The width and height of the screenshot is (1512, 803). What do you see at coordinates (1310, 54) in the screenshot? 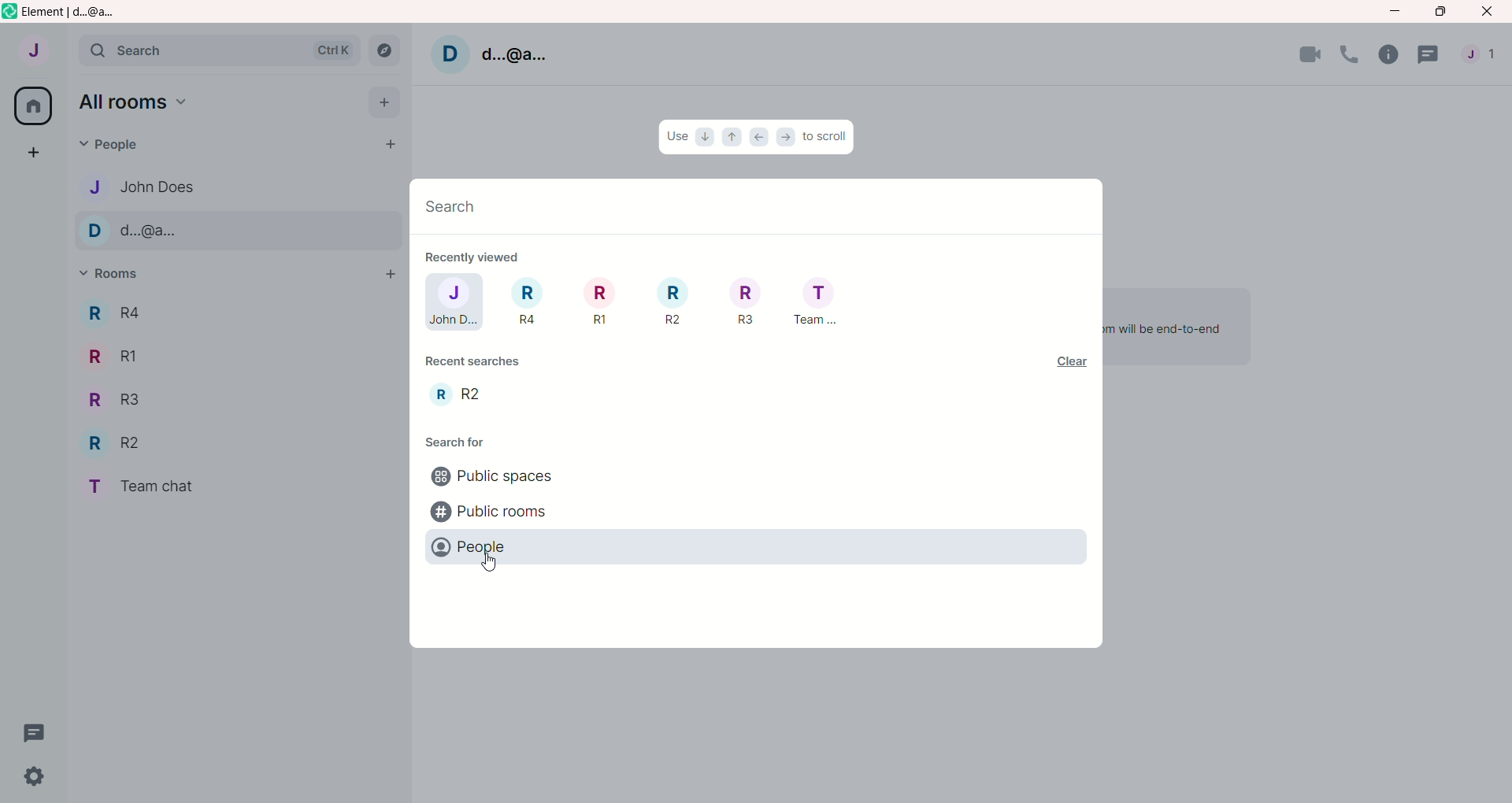
I see `video call` at bounding box center [1310, 54].